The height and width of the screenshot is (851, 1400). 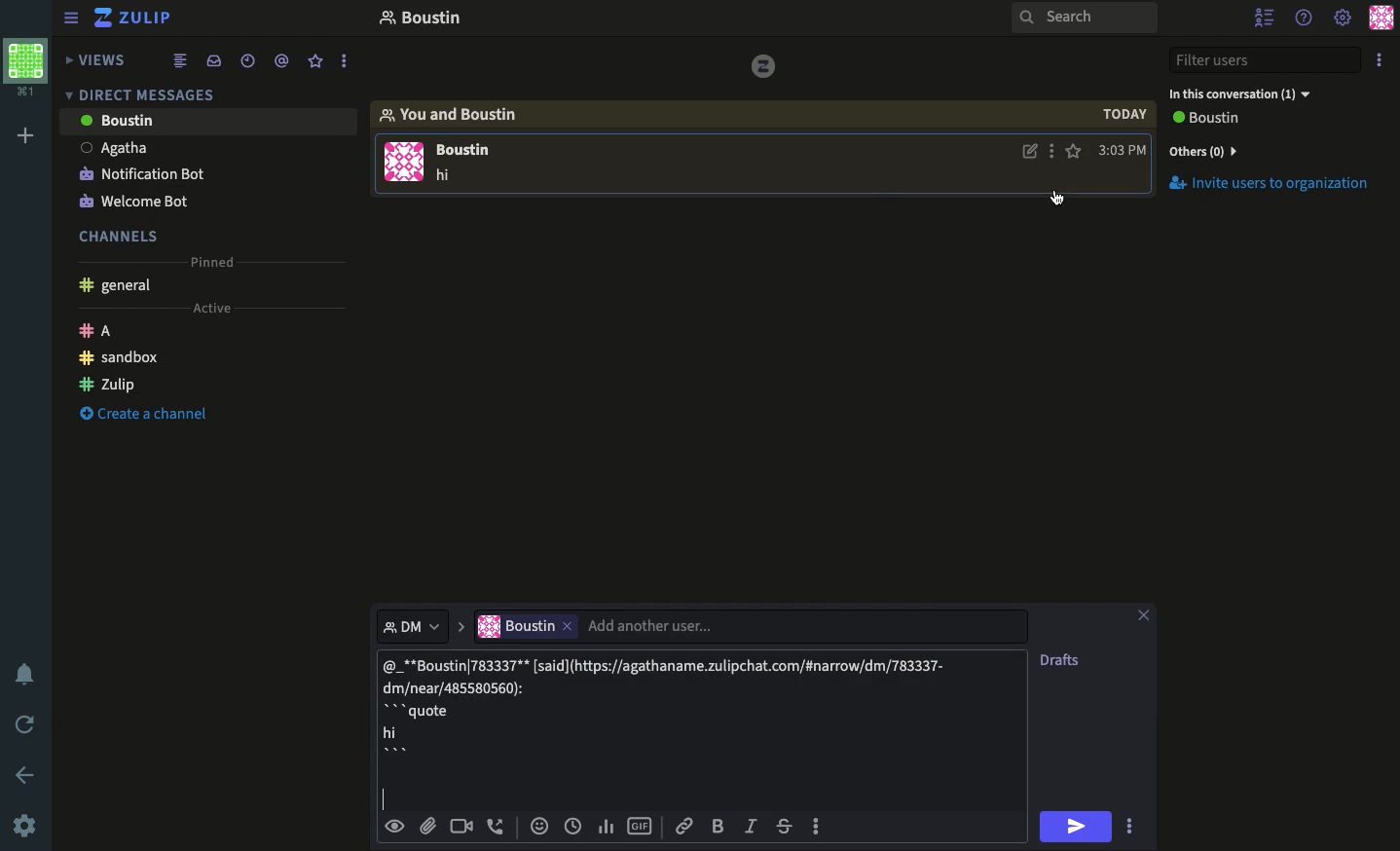 What do you see at coordinates (787, 828) in the screenshot?
I see `Strikethrough ` at bounding box center [787, 828].